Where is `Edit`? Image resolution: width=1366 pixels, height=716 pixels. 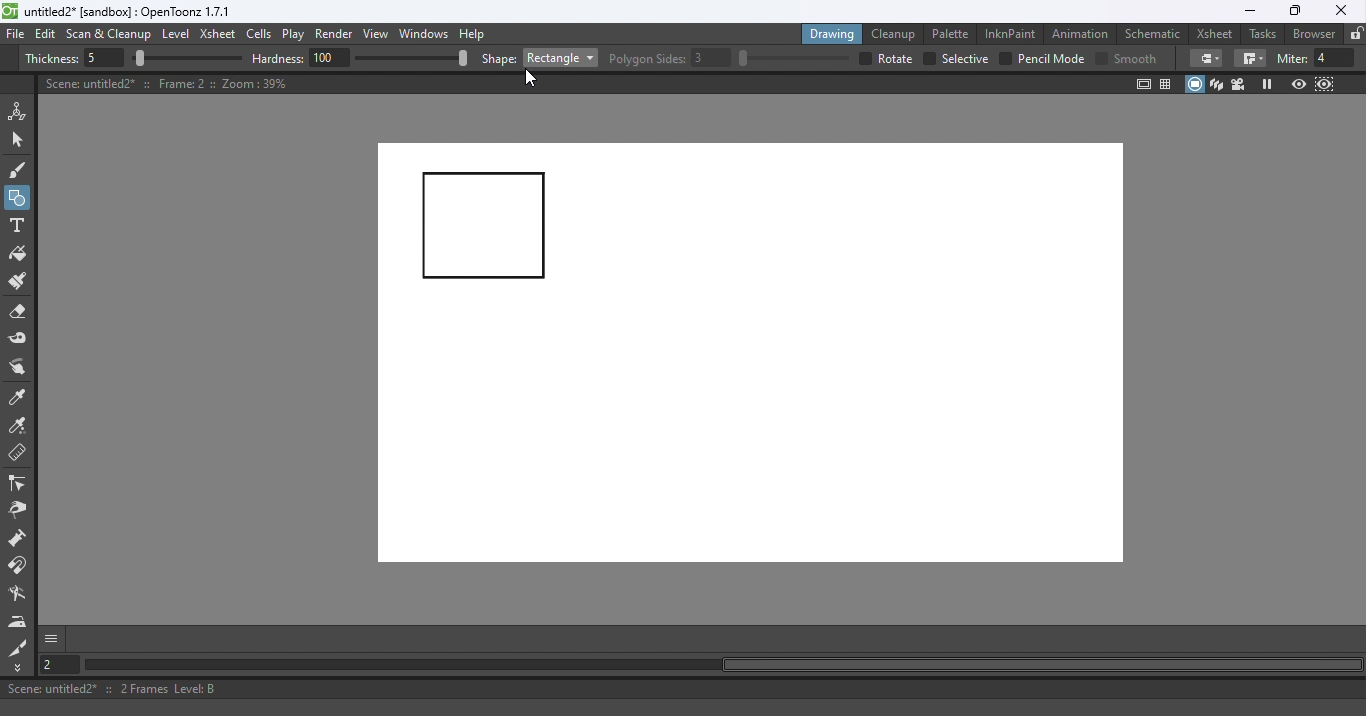
Edit is located at coordinates (48, 34).